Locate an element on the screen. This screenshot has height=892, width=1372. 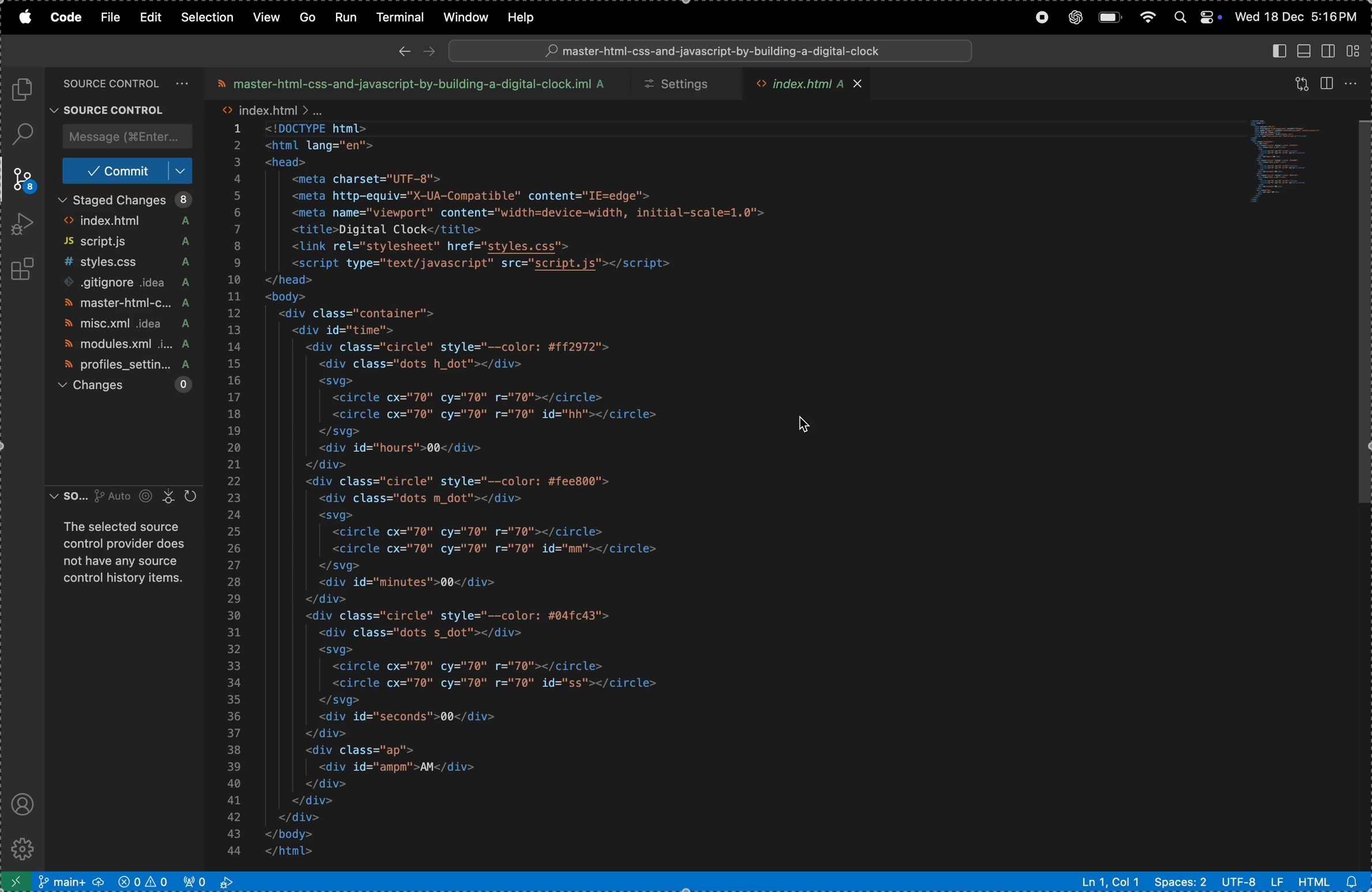
search bar is located at coordinates (709, 52).